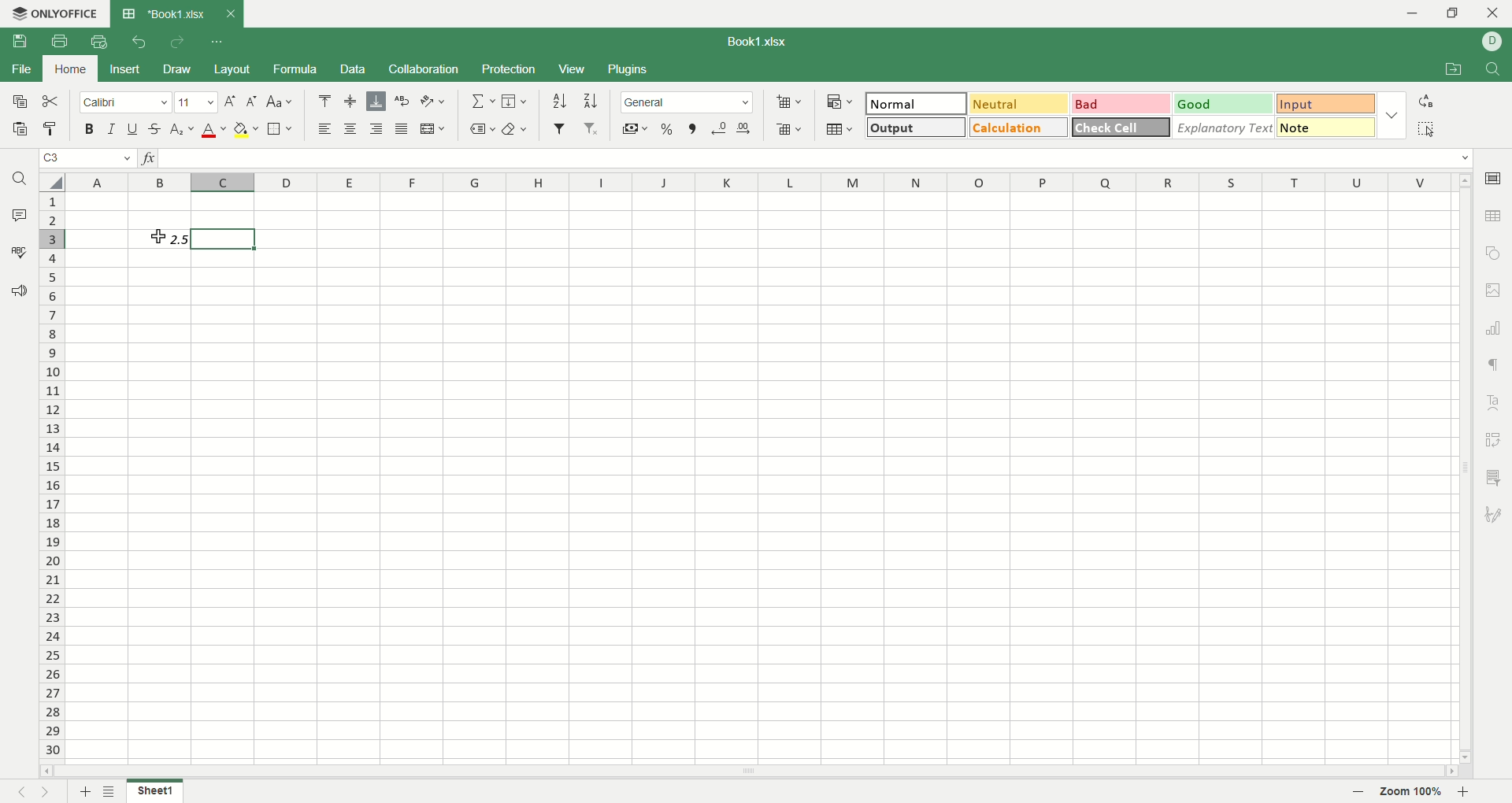  What do you see at coordinates (759, 183) in the screenshot?
I see `column name` at bounding box center [759, 183].